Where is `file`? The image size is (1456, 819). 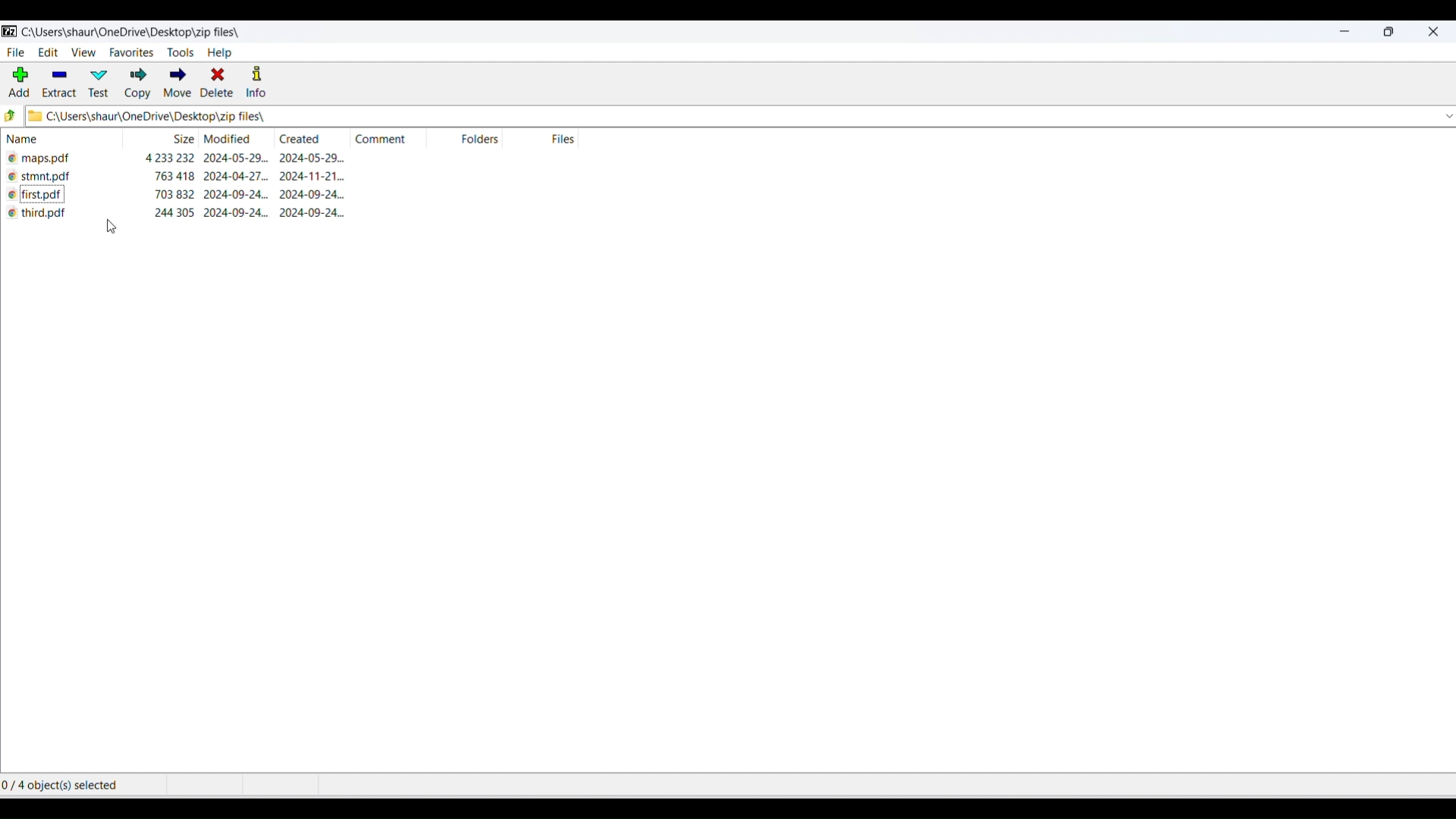 file is located at coordinates (16, 53).